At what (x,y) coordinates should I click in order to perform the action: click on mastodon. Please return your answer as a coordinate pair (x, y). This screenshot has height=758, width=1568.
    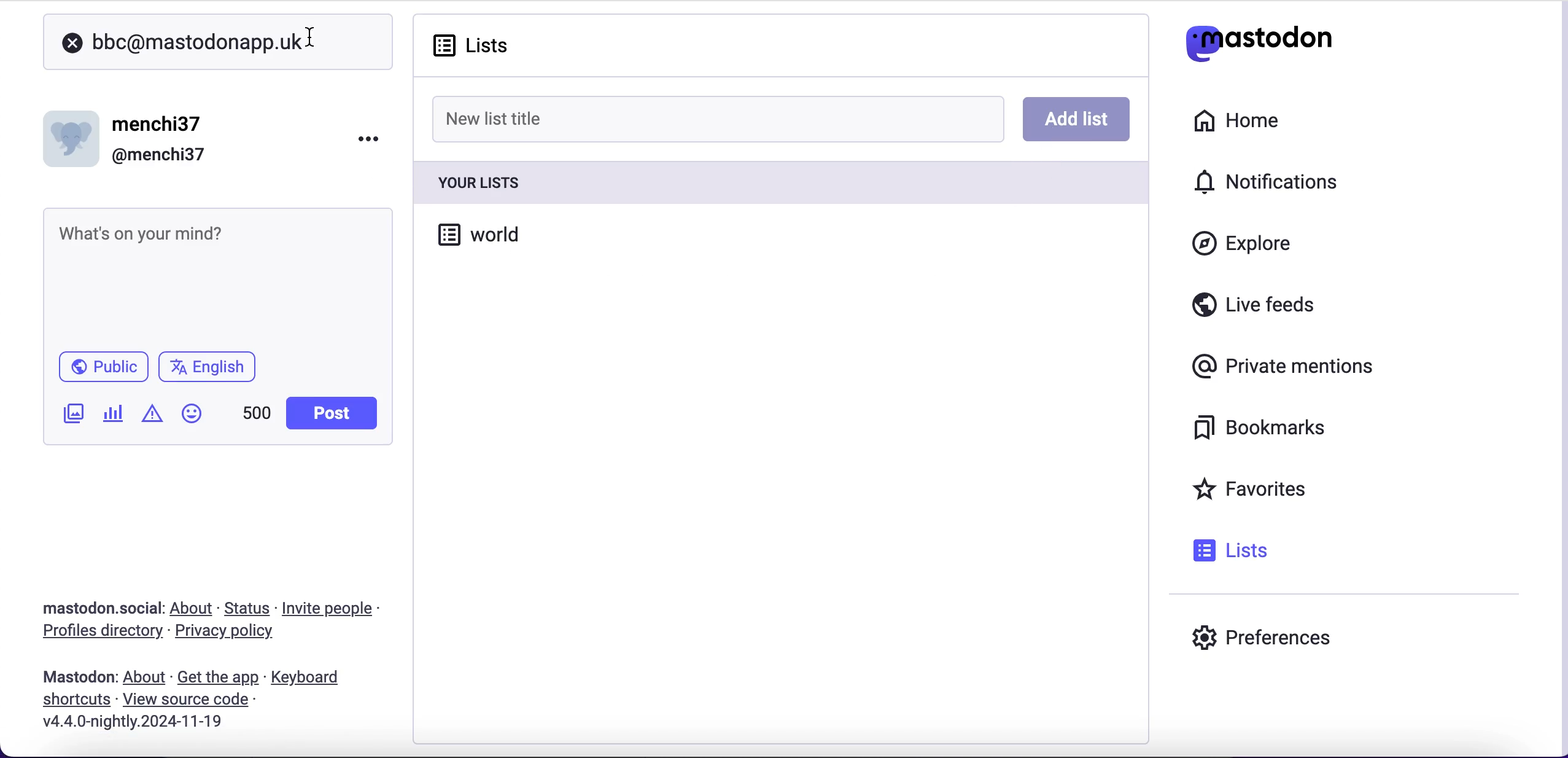
    Looking at the image, I should click on (79, 677).